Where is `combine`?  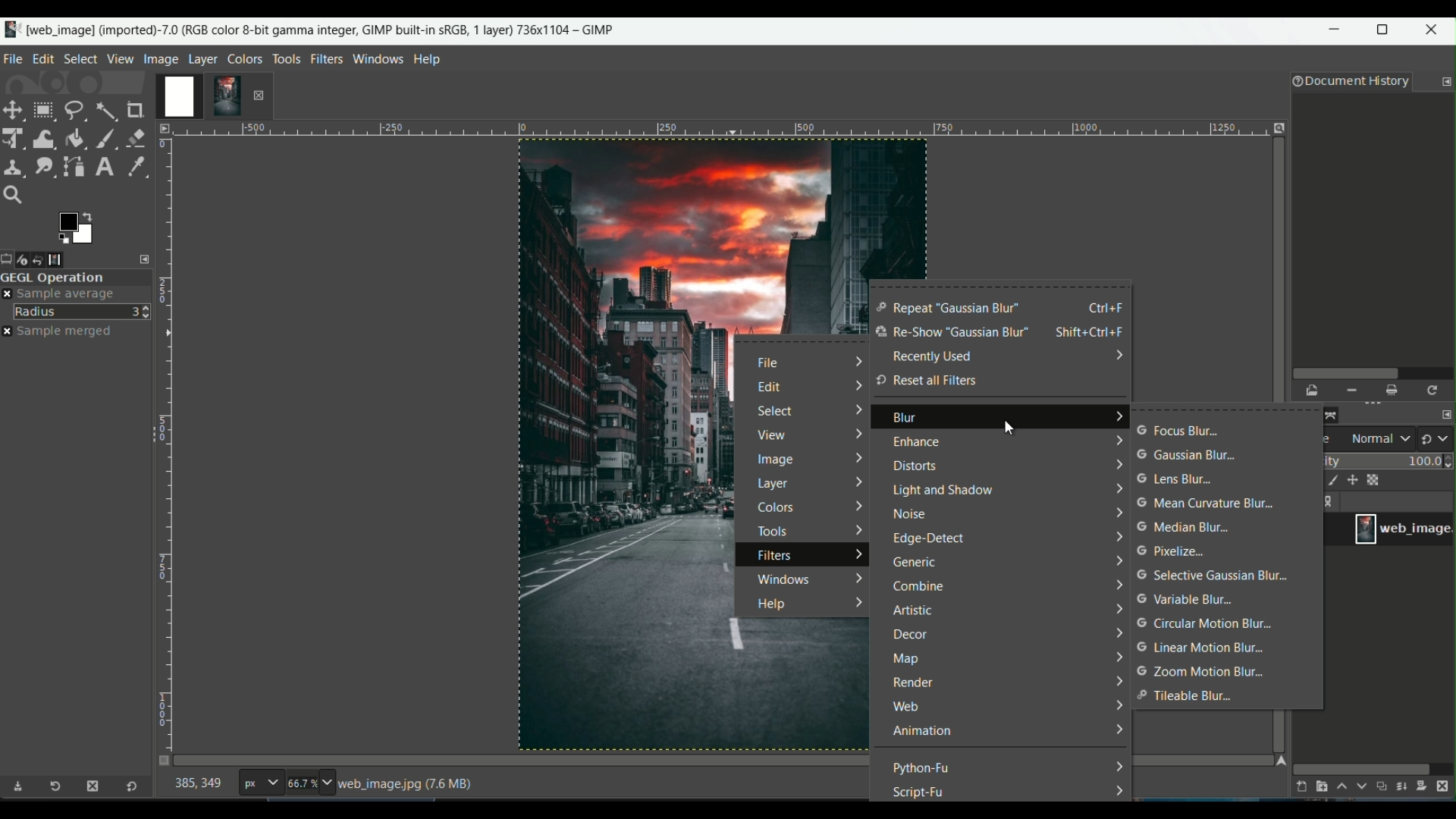 combine is located at coordinates (920, 587).